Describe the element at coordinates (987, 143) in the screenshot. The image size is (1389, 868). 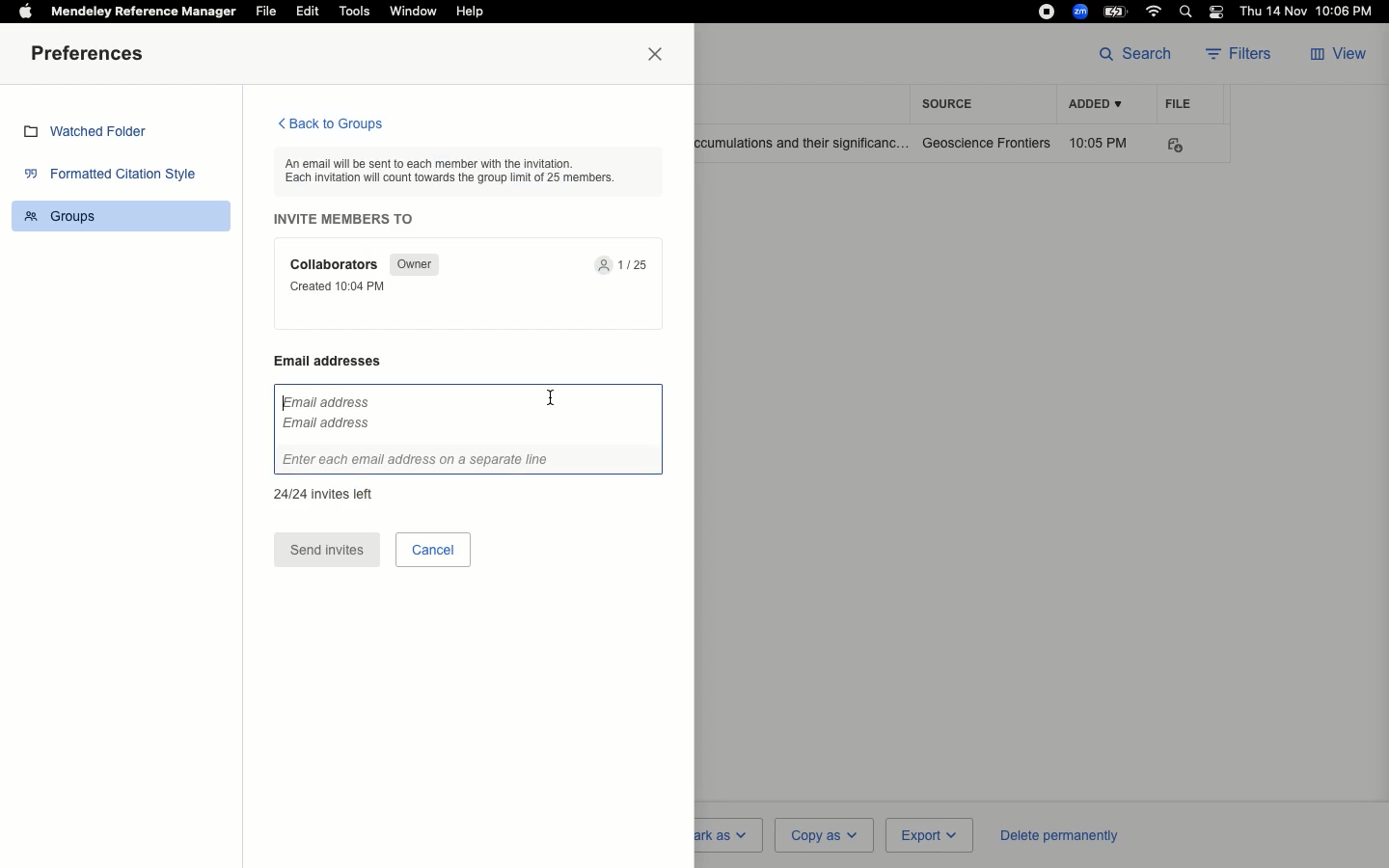
I see `Geoscience frontiers` at that location.